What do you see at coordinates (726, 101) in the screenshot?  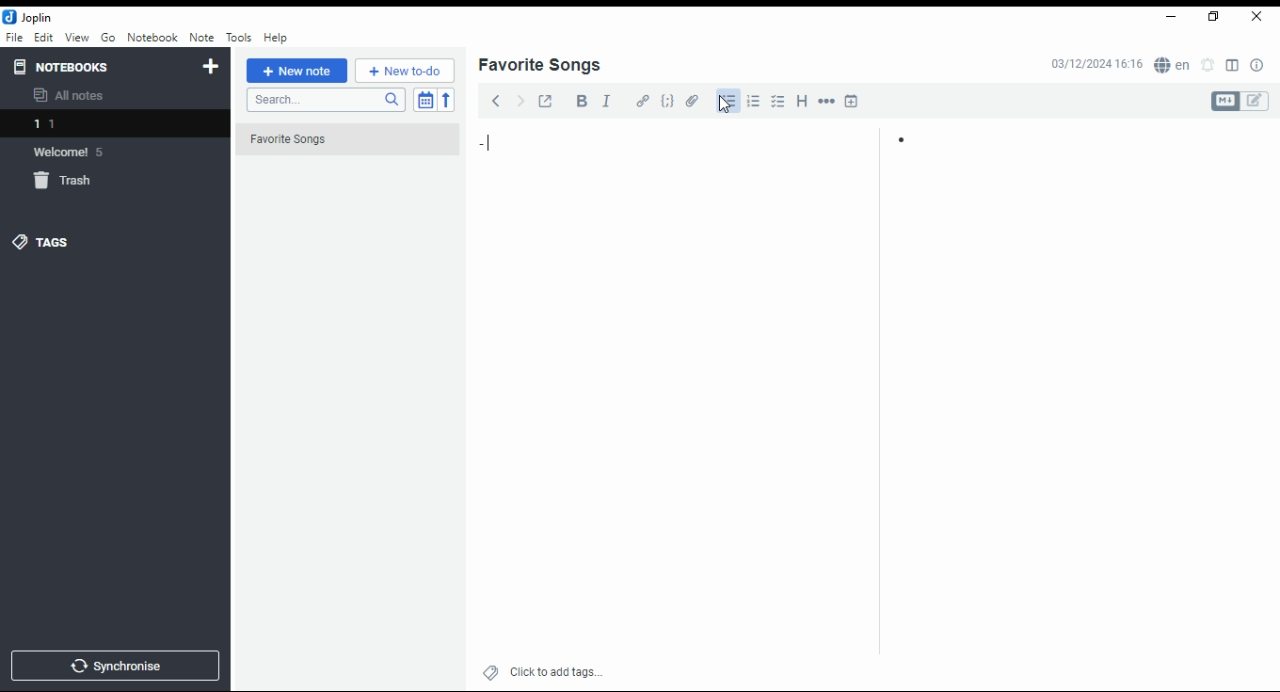 I see `bullets` at bounding box center [726, 101].